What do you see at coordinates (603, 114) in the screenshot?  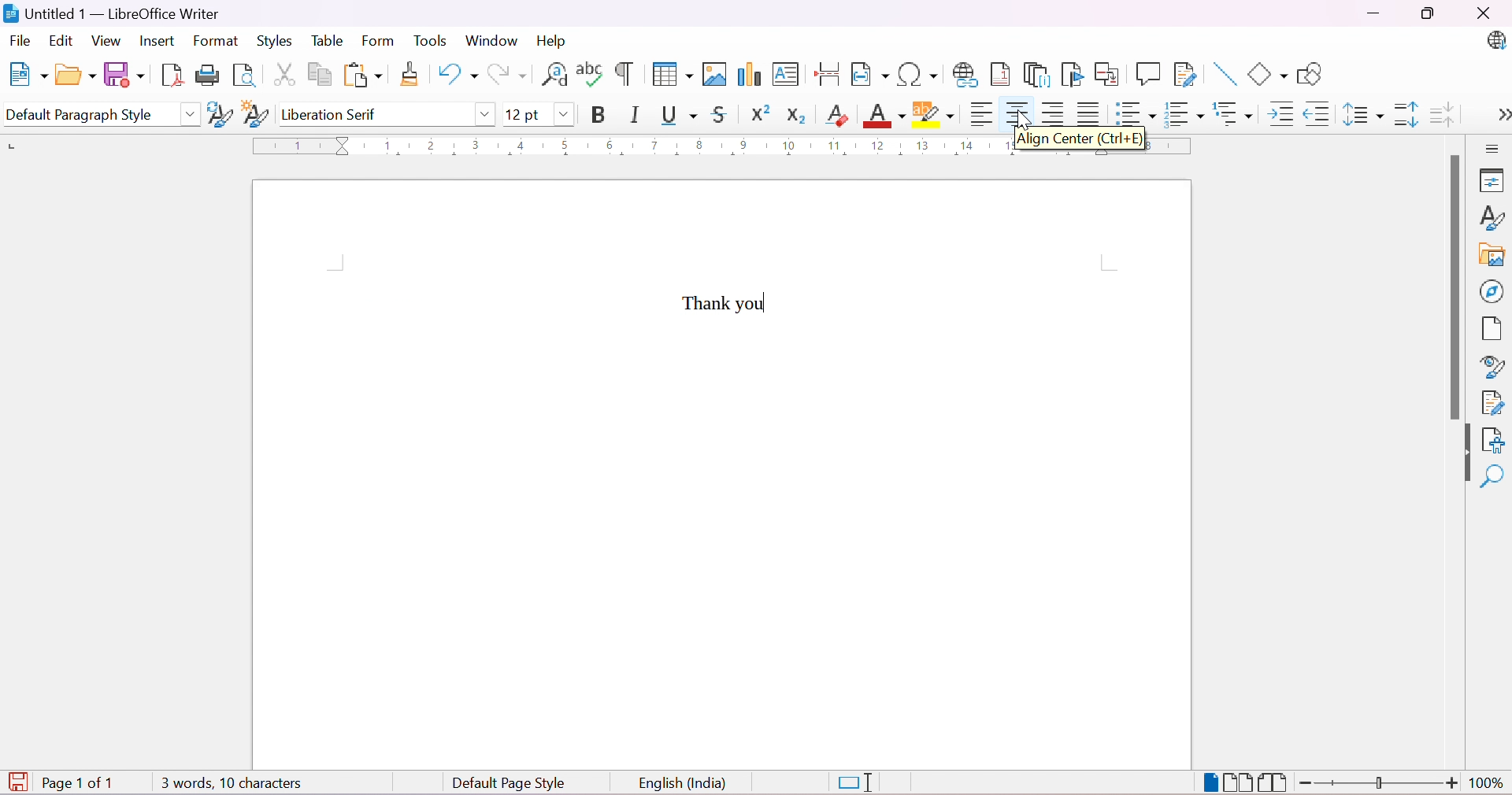 I see `Bold` at bounding box center [603, 114].